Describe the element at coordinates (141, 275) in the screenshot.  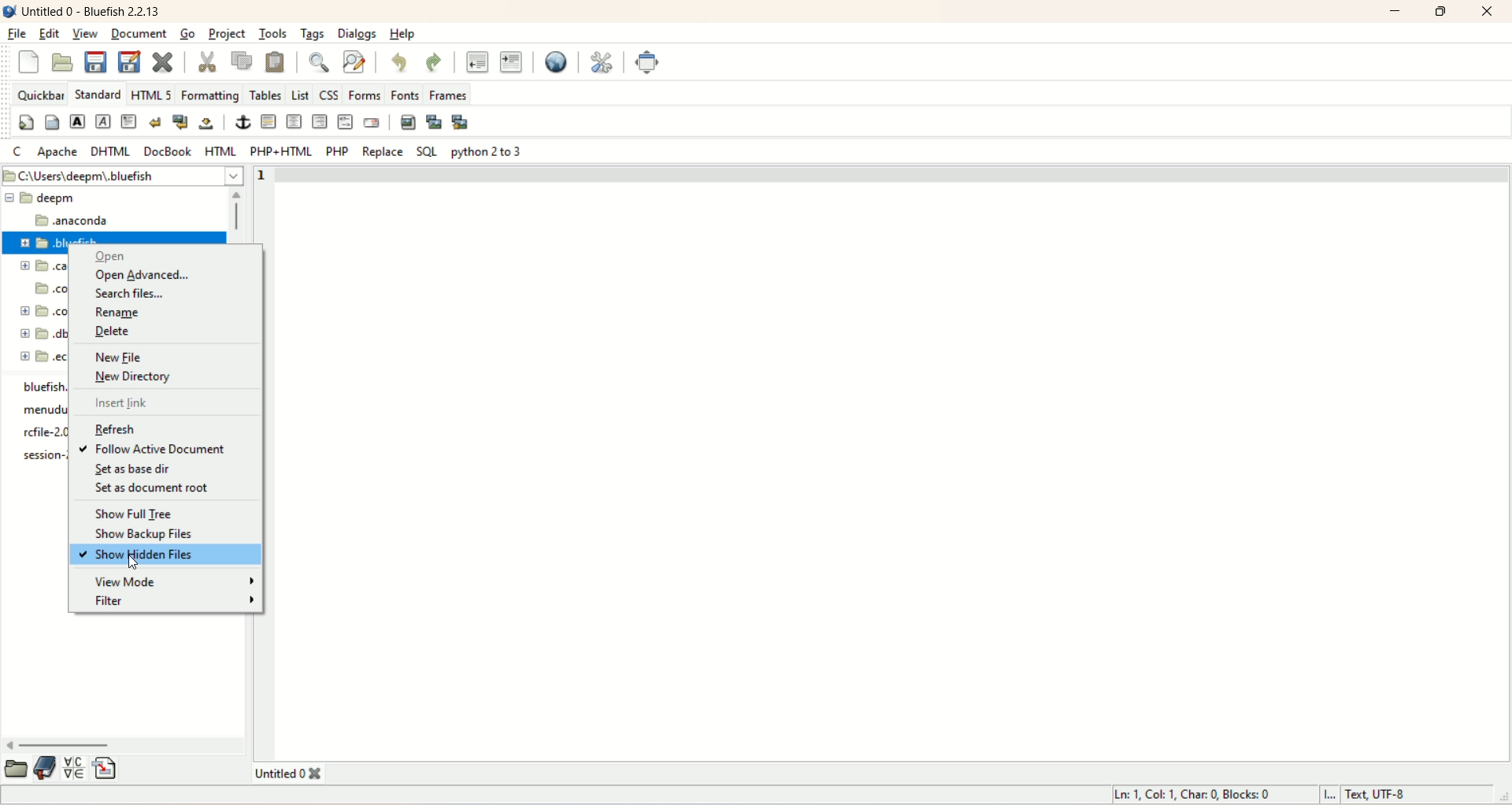
I see `open advanced ` at that location.